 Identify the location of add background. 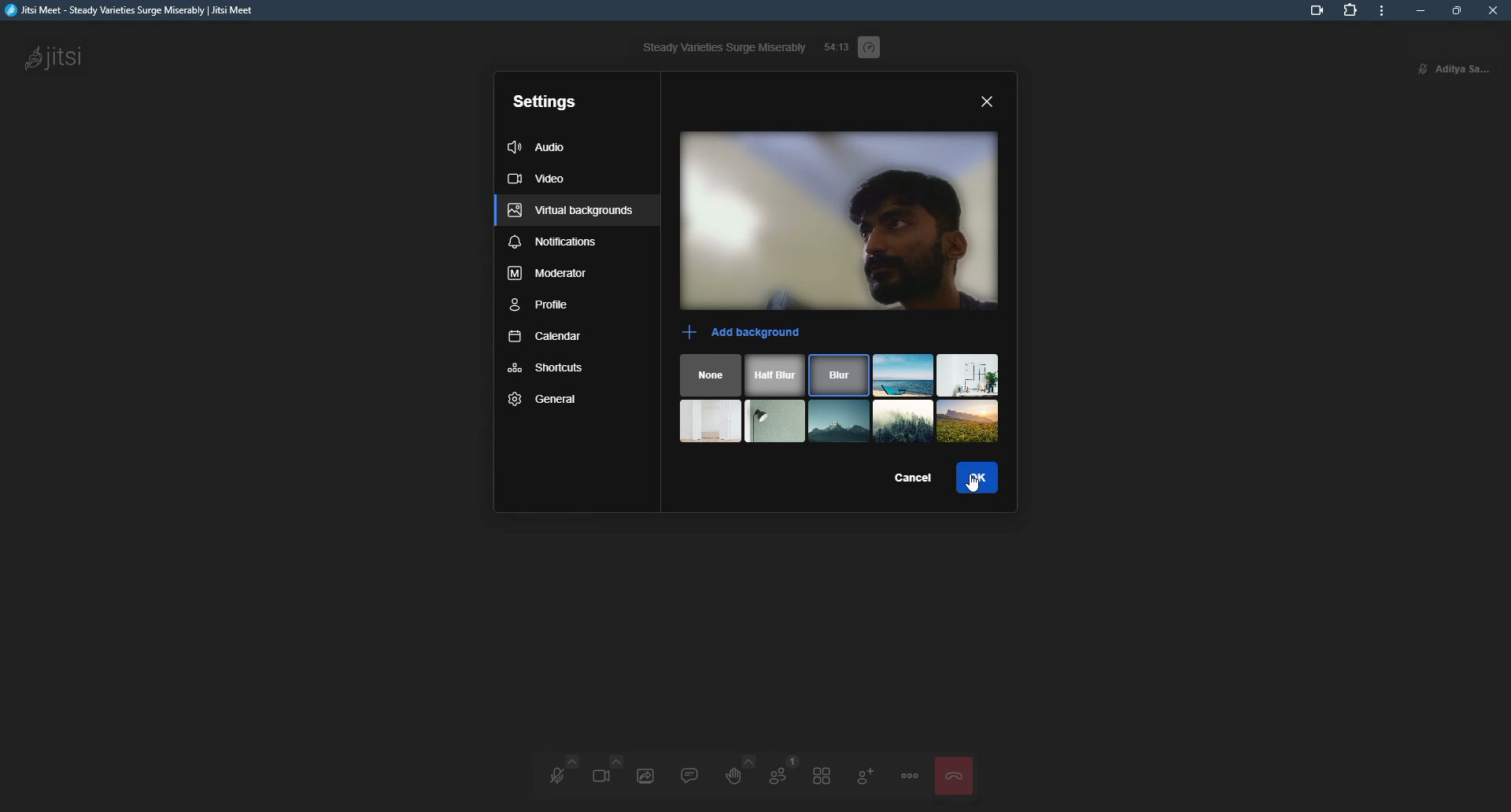
(744, 334).